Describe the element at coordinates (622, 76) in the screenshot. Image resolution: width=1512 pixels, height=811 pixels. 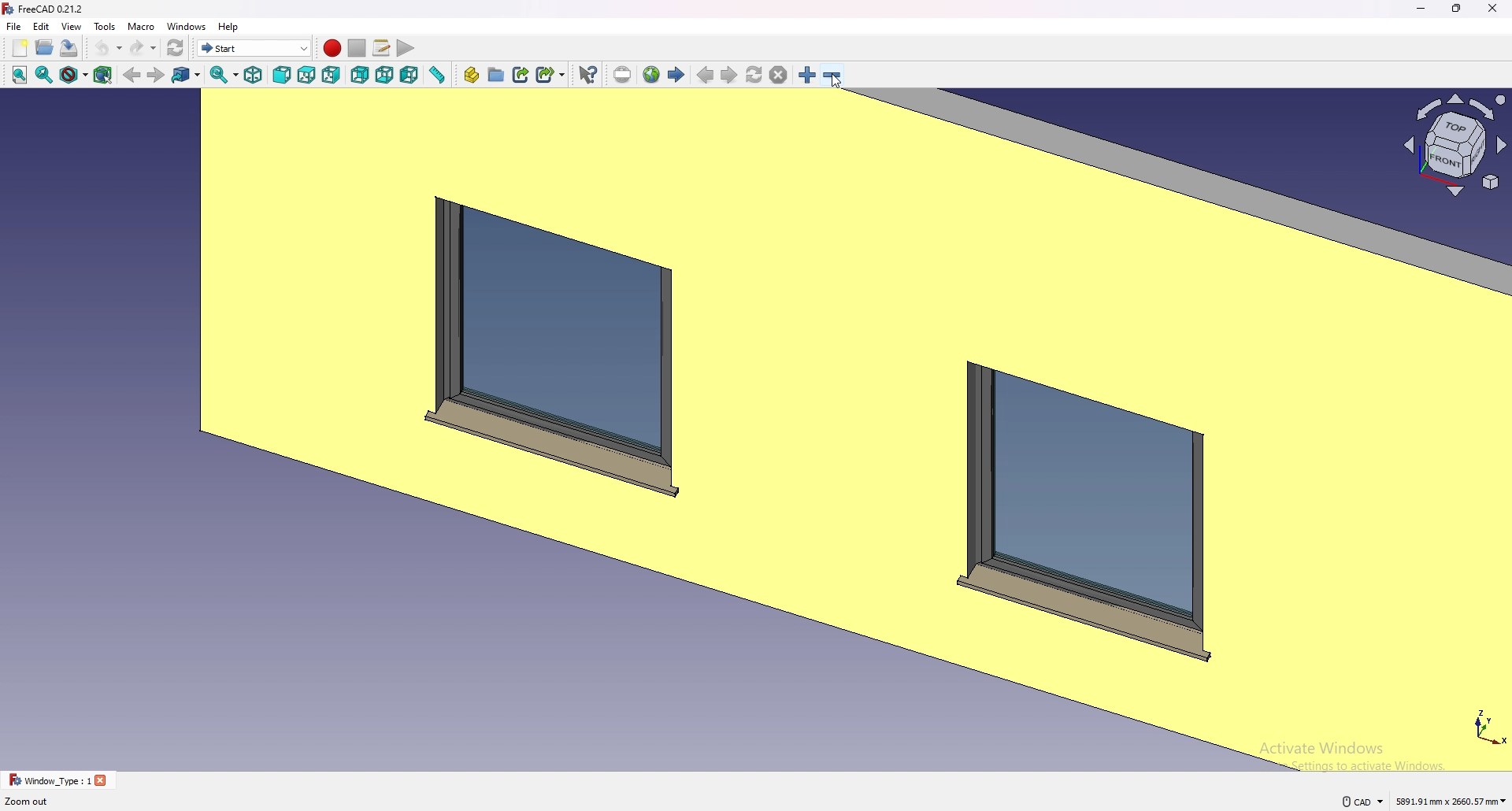
I see `set url` at that location.